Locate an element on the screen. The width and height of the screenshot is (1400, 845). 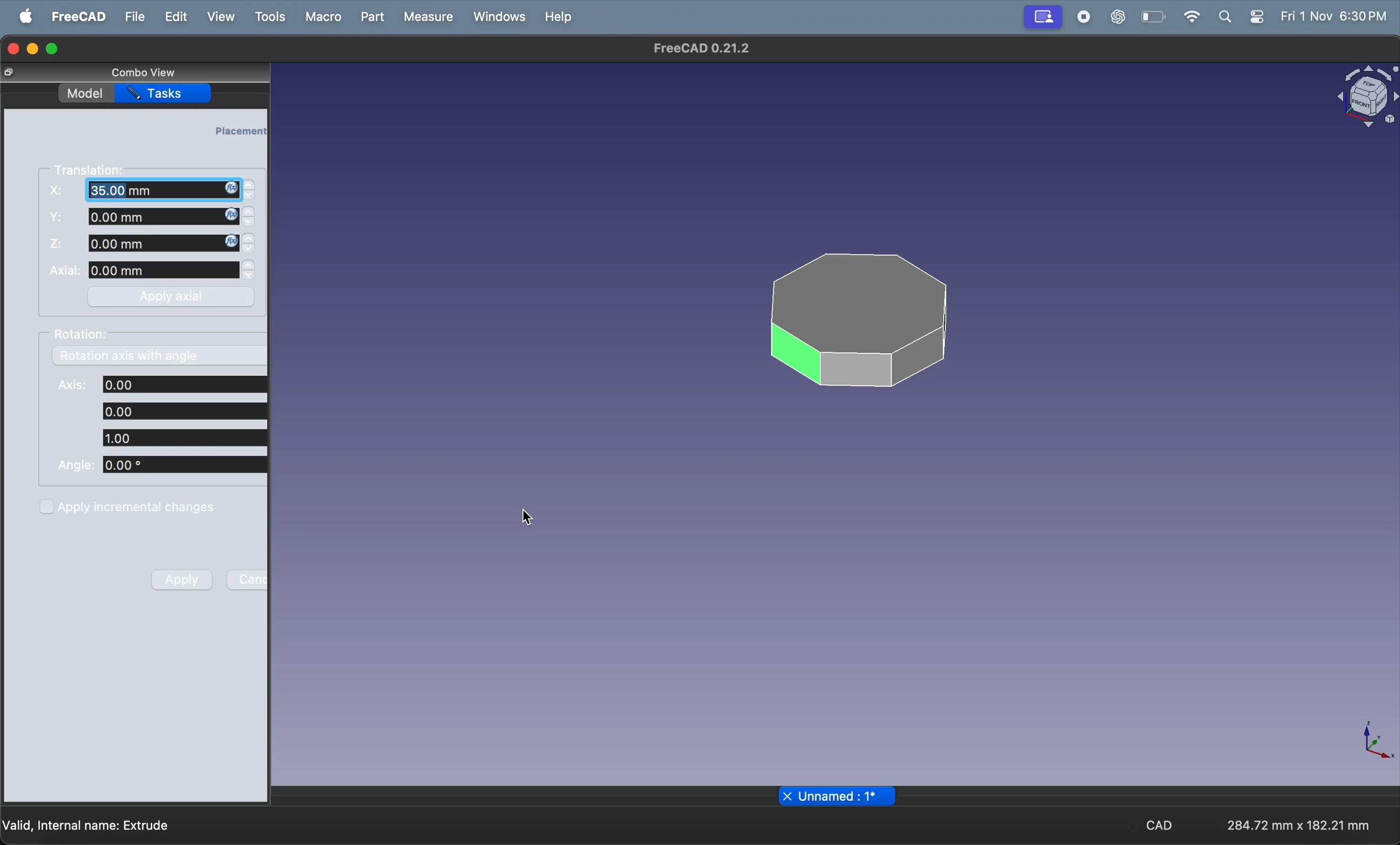
Y: 0.00 mm is located at coordinates (141, 217).